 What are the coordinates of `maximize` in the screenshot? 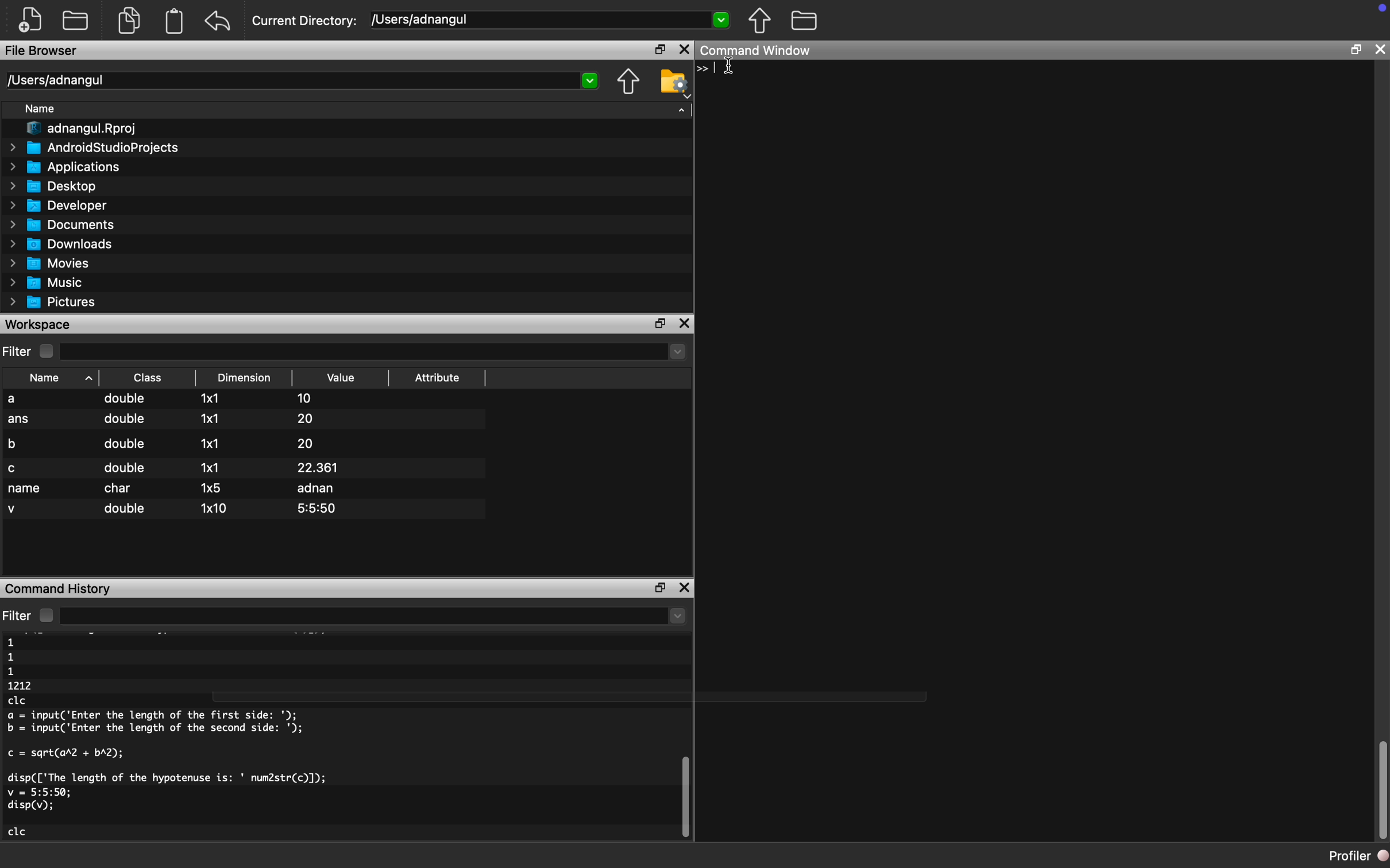 It's located at (1356, 48).